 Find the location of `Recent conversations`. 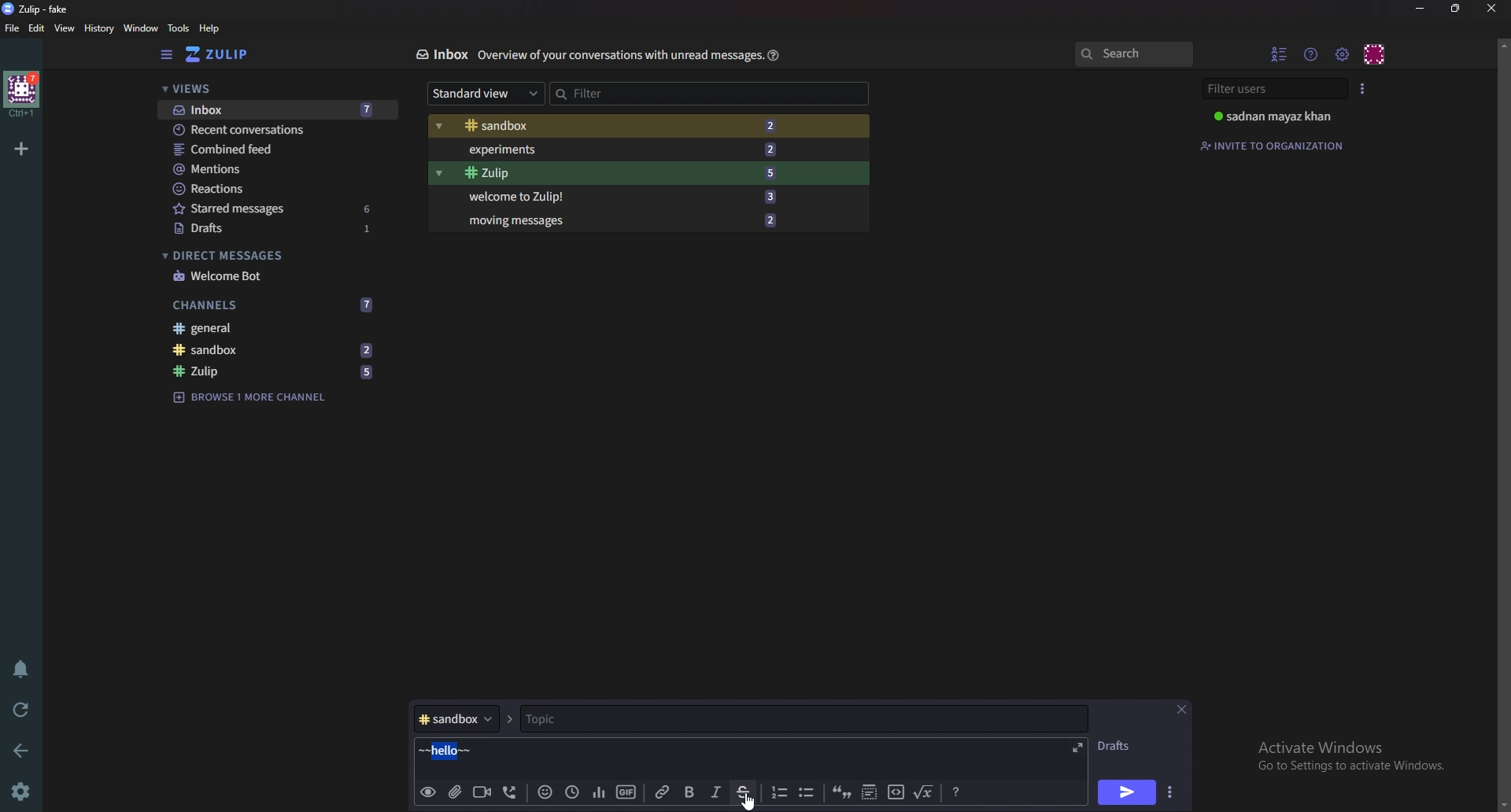

Recent conversations is located at coordinates (283, 130).